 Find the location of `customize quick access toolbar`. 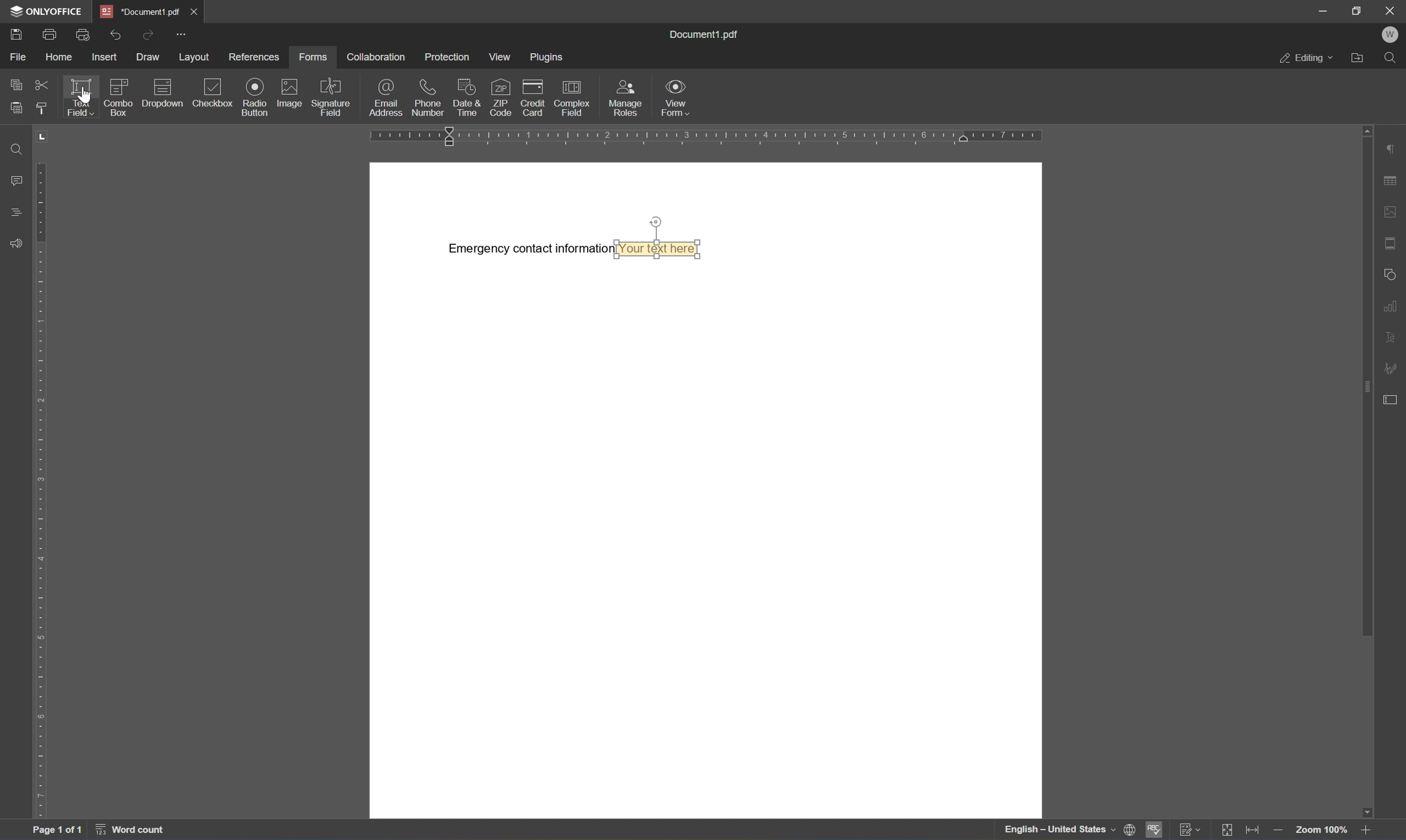

customize quick access toolbar is located at coordinates (182, 34).